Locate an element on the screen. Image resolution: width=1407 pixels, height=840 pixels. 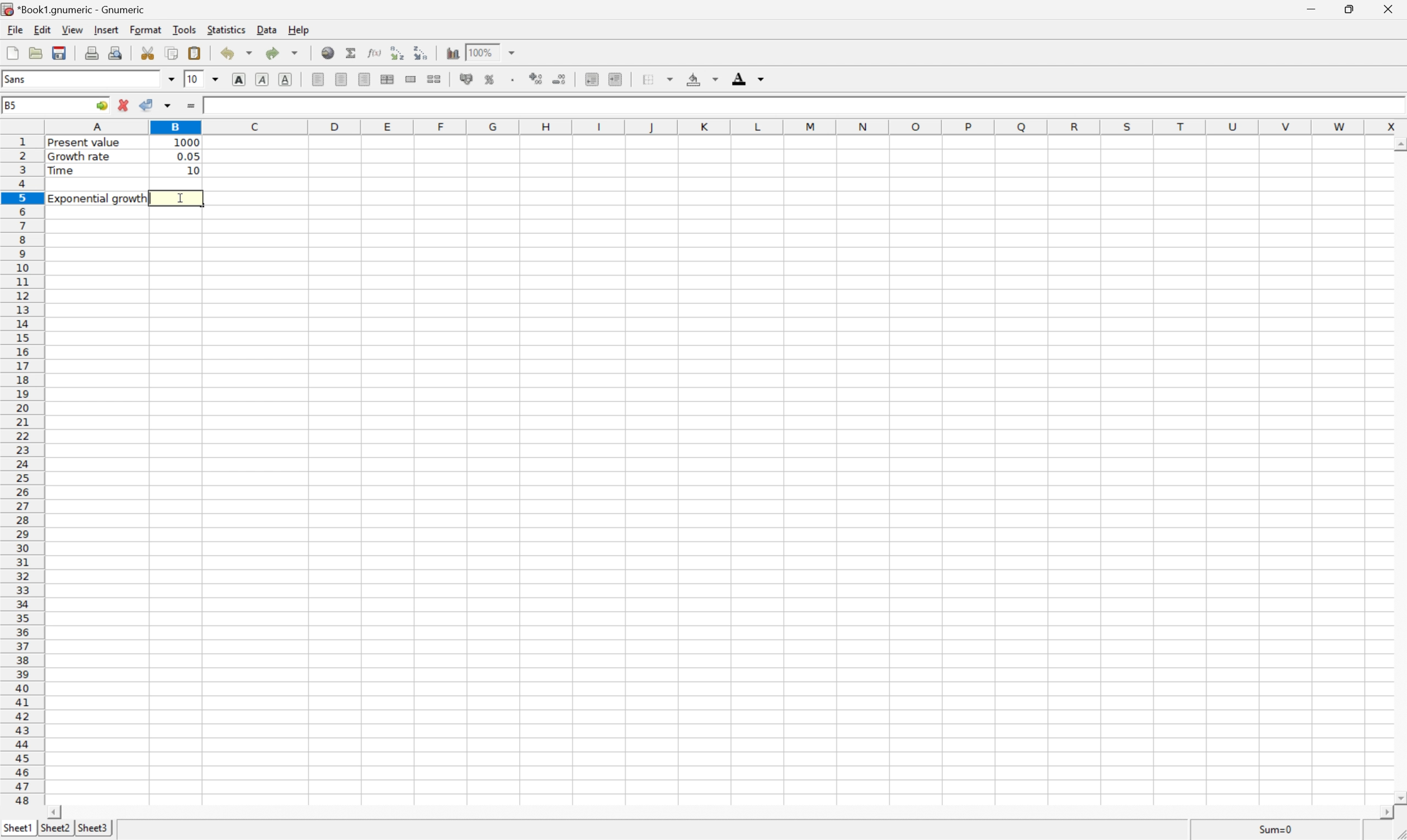
Center horizontally across selection is located at coordinates (387, 79).